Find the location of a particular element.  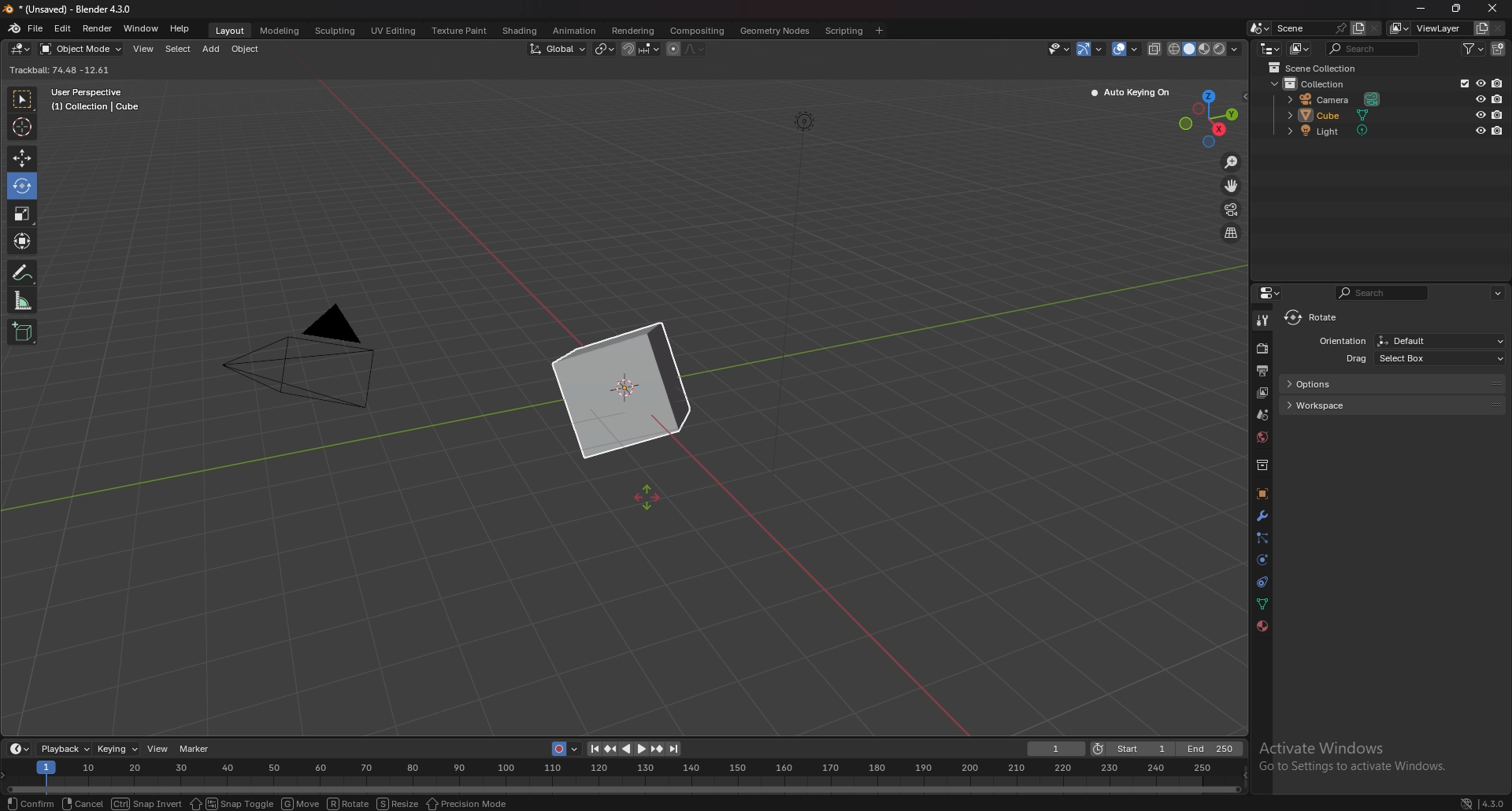

geometry nodes is located at coordinates (776, 31).